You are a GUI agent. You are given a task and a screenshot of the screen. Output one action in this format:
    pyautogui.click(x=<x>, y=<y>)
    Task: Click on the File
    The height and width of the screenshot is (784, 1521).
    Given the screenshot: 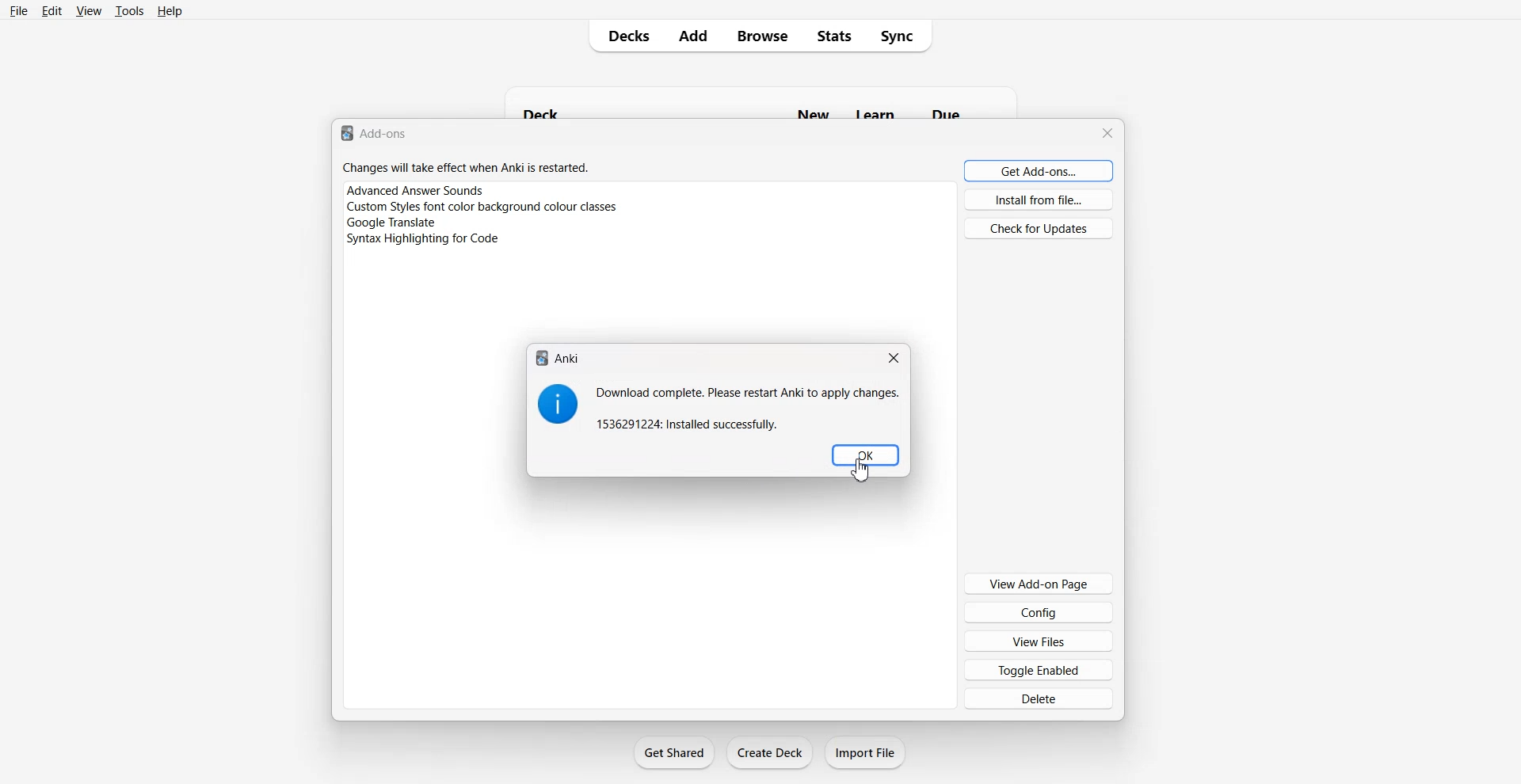 What is the action you would take?
    pyautogui.click(x=20, y=10)
    